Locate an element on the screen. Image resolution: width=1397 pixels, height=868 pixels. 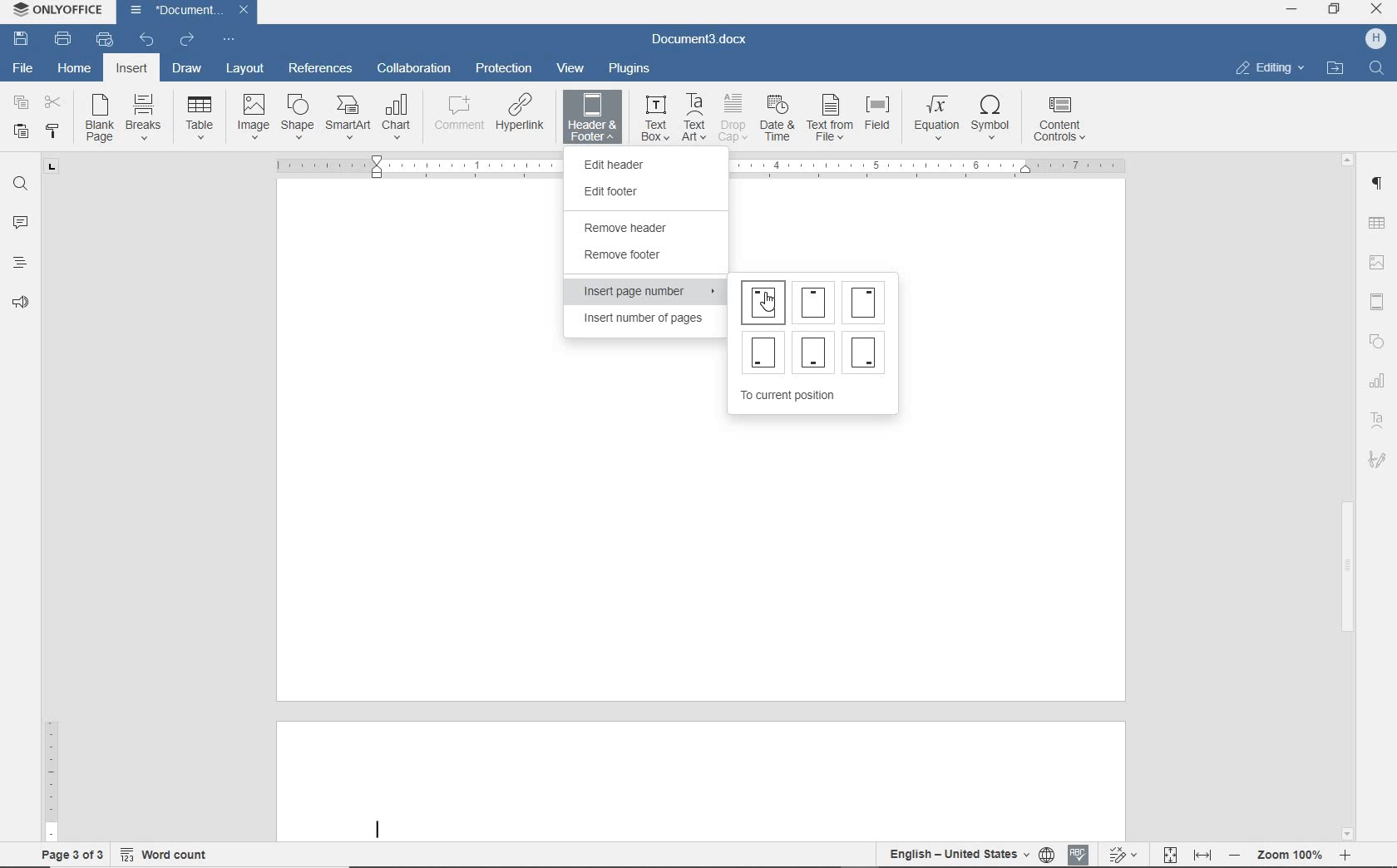
Zoom out is located at coordinates (1233, 854).